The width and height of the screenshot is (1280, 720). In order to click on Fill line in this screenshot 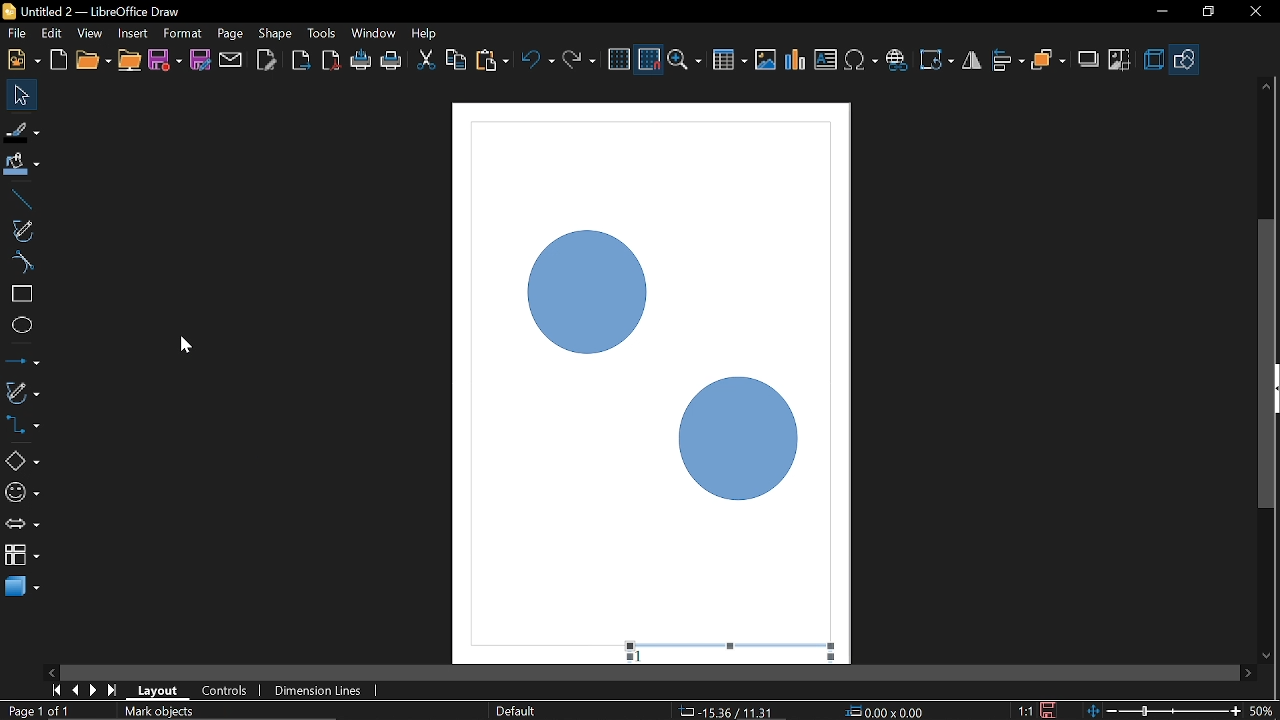, I will do `click(22, 132)`.